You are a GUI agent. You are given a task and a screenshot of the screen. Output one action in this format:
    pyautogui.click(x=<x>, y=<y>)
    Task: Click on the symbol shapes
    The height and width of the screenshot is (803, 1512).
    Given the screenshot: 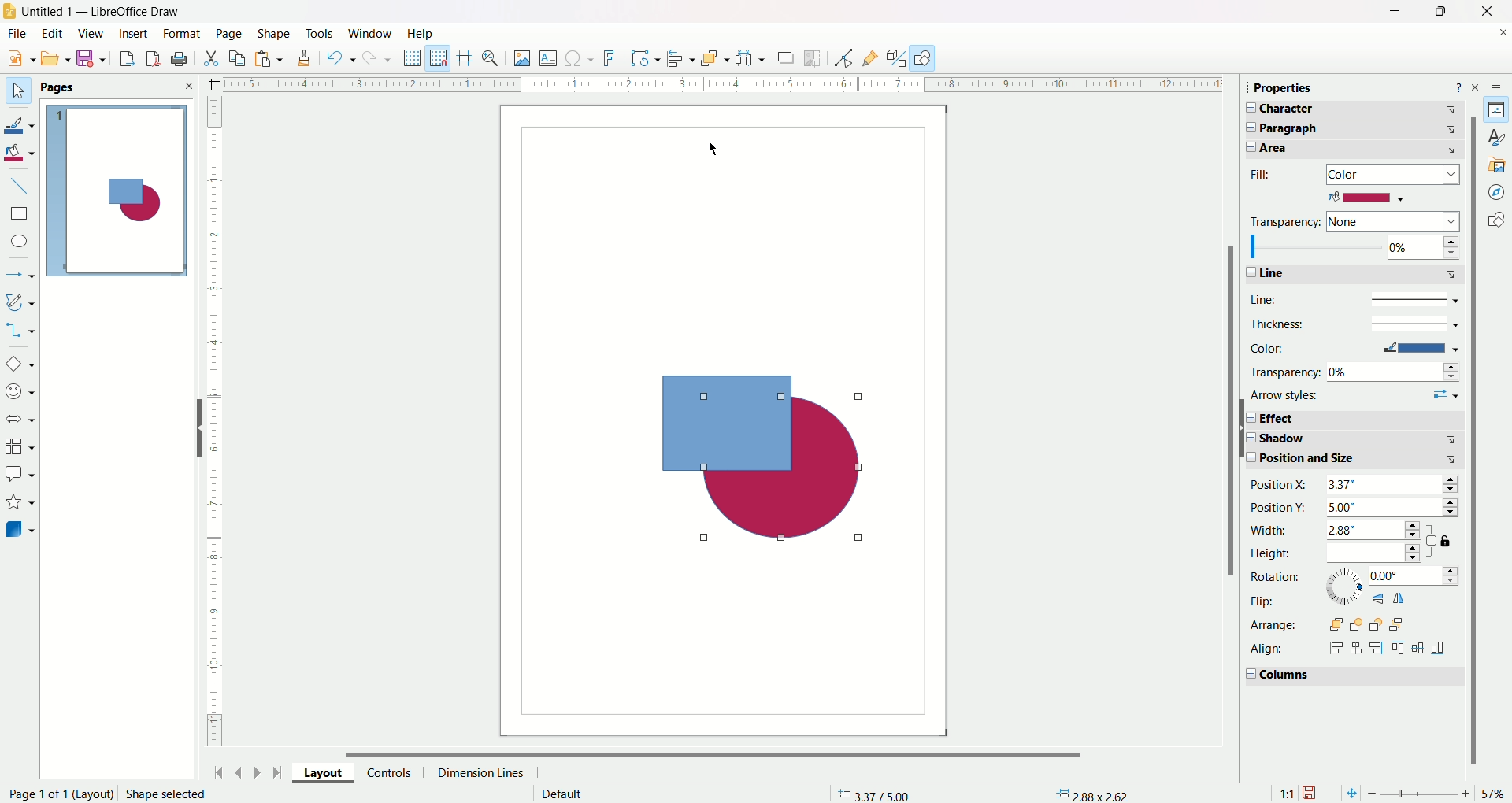 What is the action you would take?
    pyautogui.click(x=20, y=391)
    